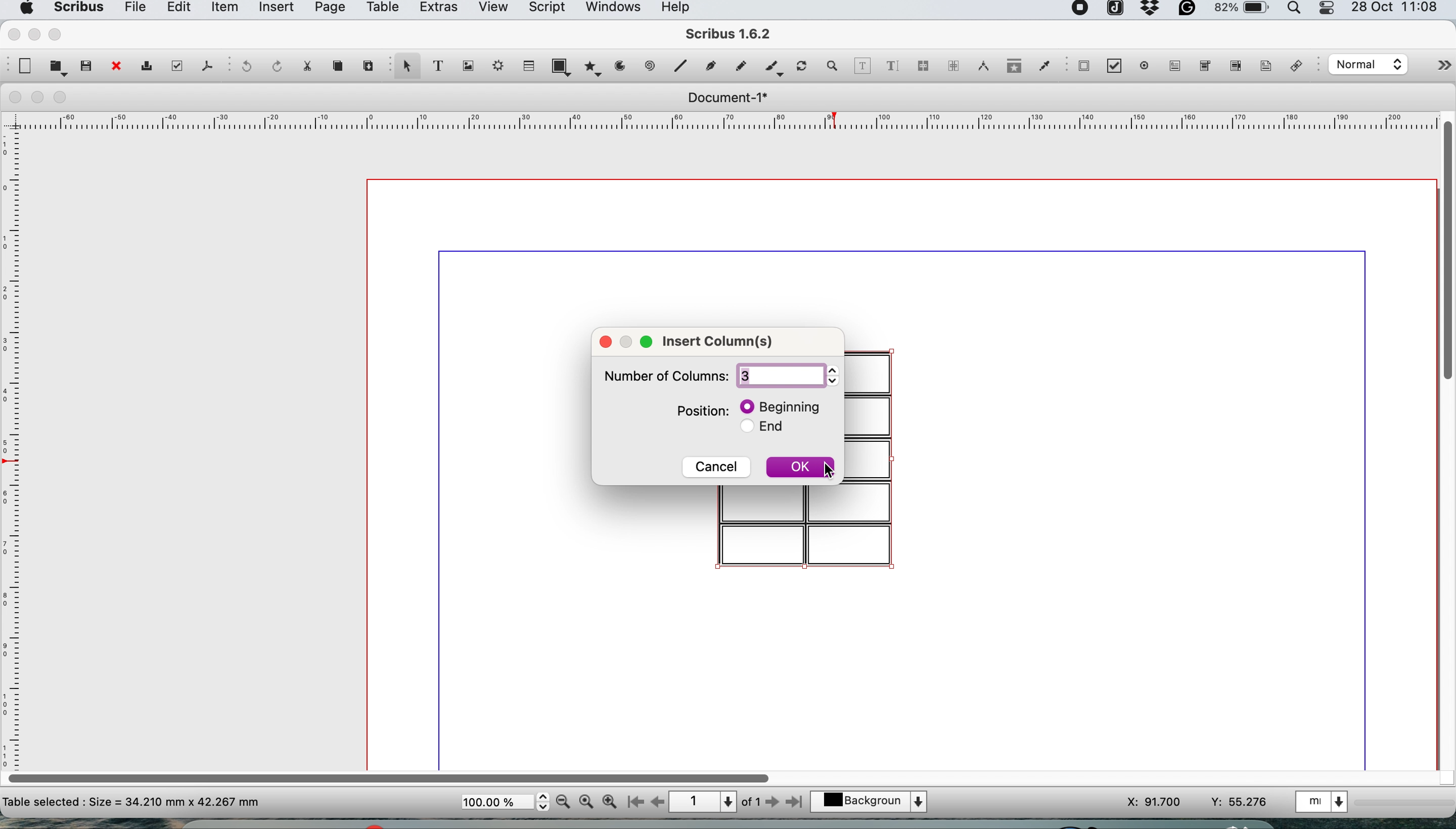  Describe the element at coordinates (133, 10) in the screenshot. I see `file` at that location.